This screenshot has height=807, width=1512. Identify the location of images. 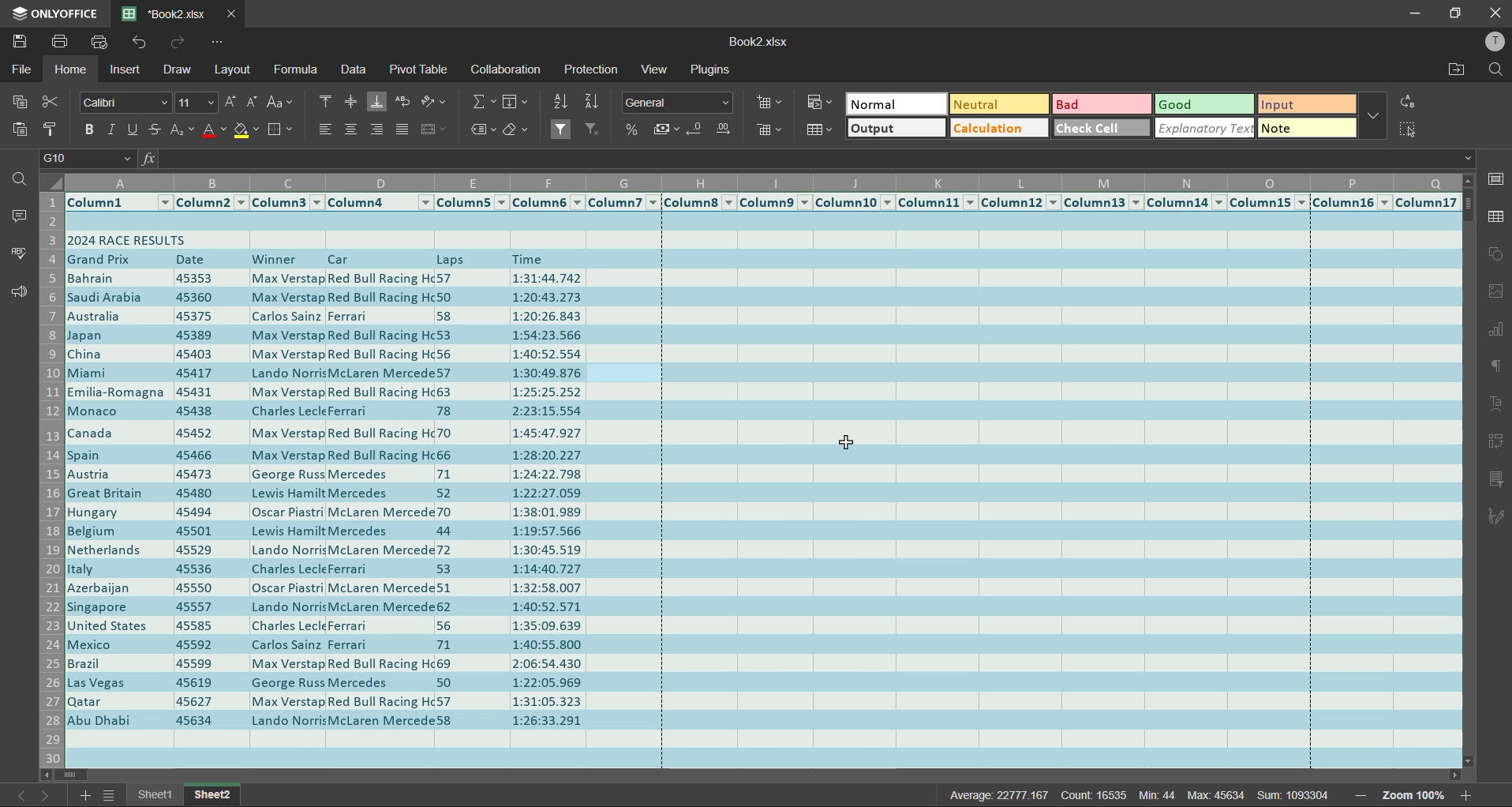
(1496, 293).